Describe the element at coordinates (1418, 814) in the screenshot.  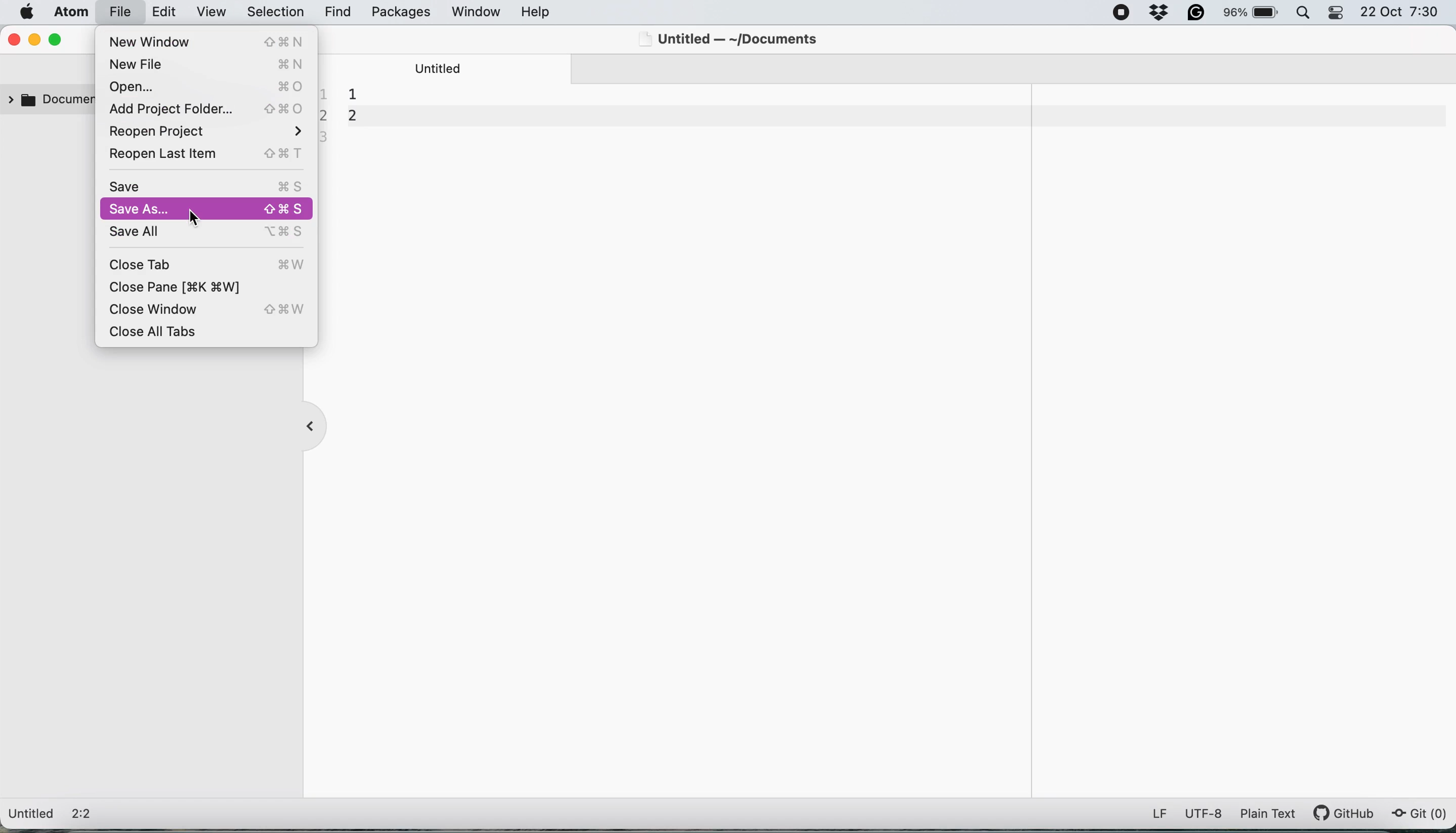
I see `git (0)` at that location.